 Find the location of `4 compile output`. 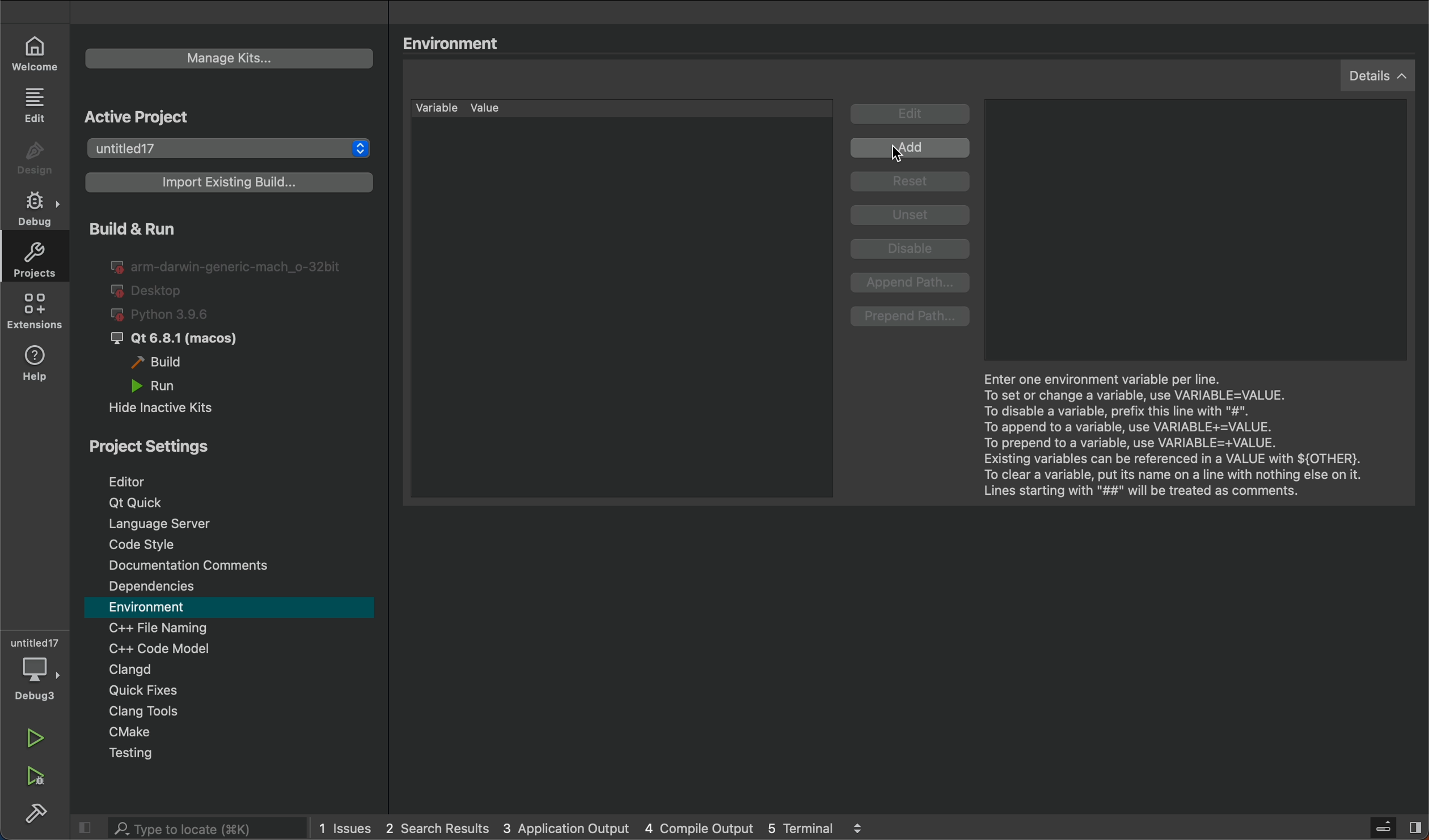

4 compile output is located at coordinates (699, 827).